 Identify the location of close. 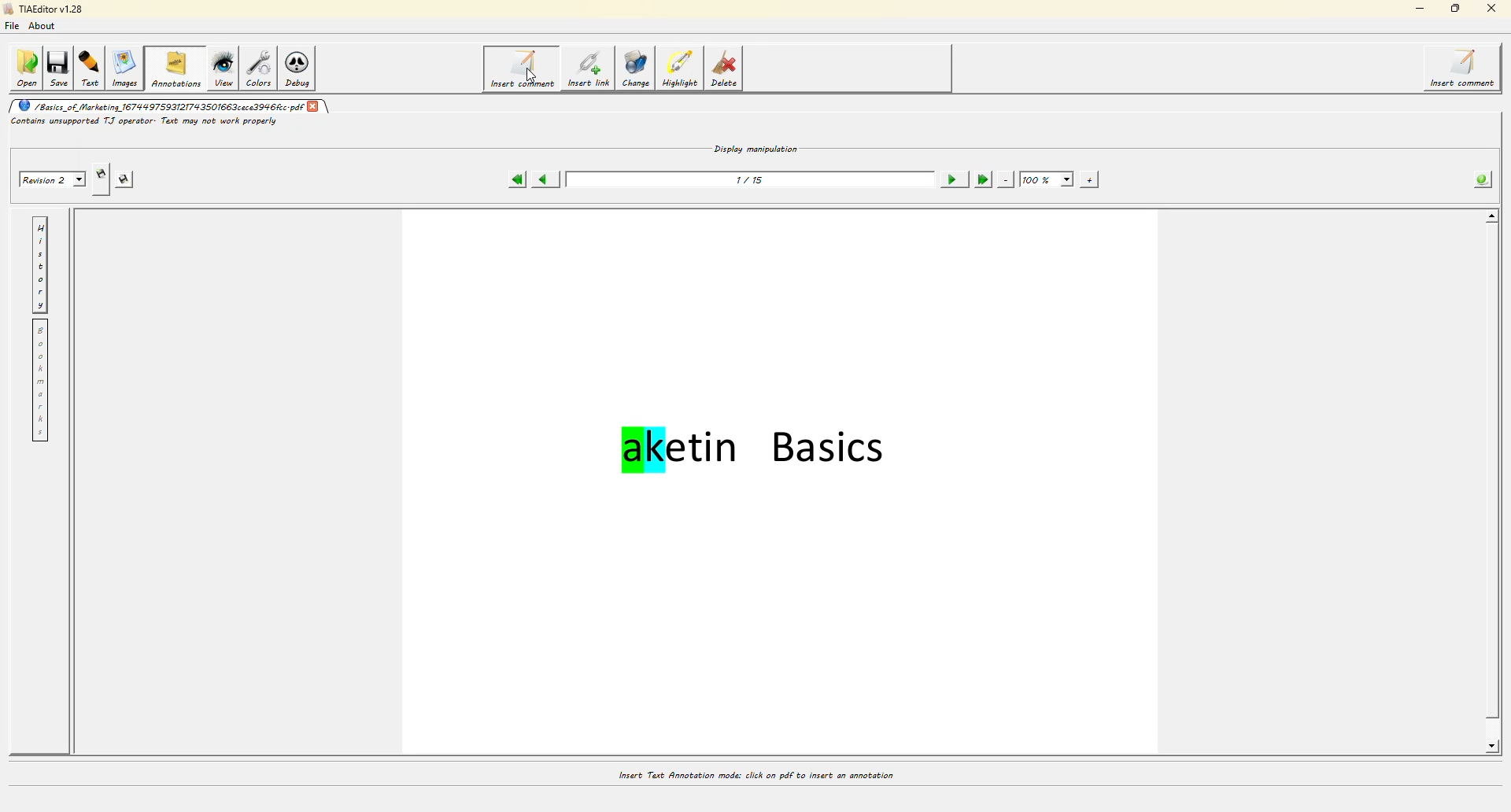
(313, 105).